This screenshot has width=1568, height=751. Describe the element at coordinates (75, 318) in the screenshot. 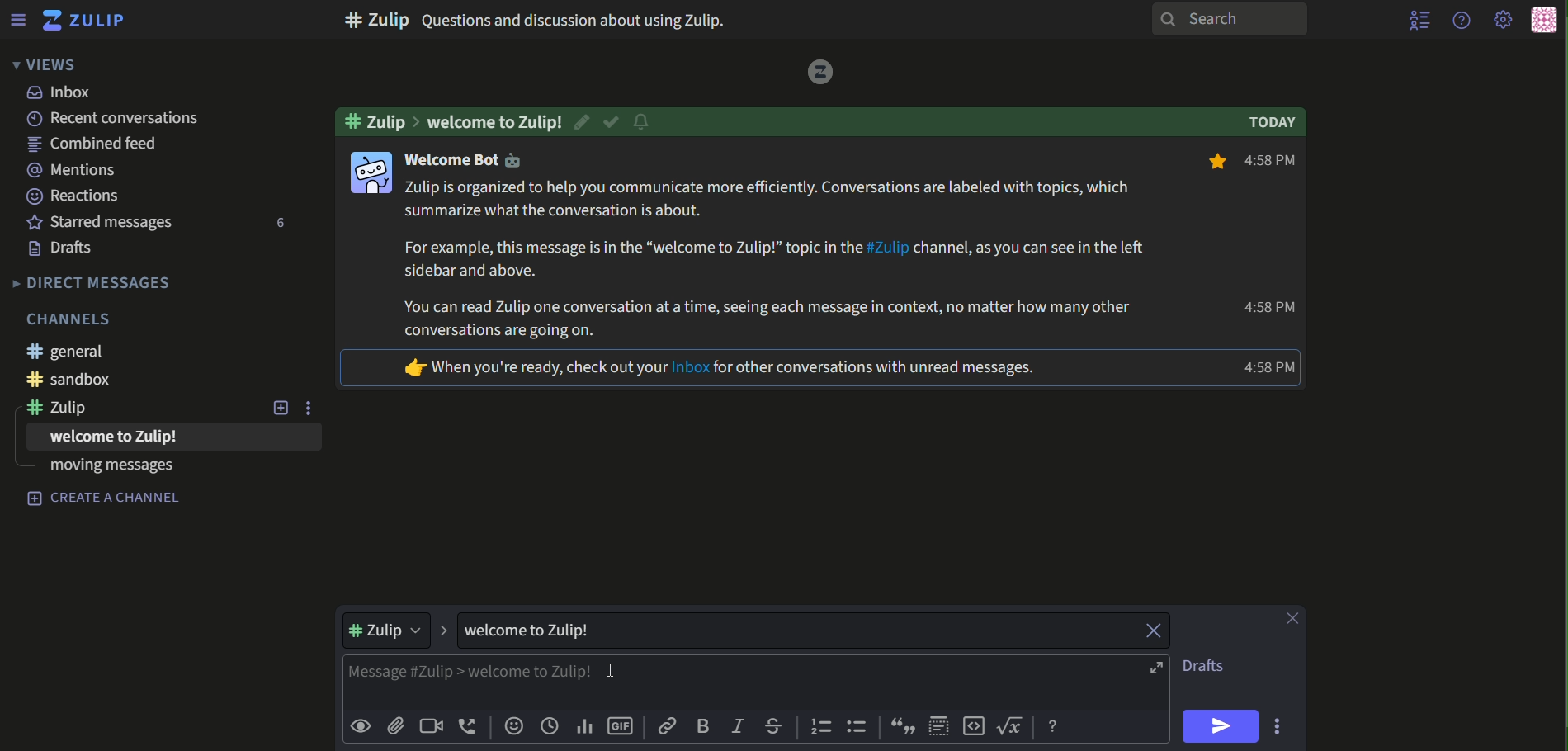

I see `text` at that location.